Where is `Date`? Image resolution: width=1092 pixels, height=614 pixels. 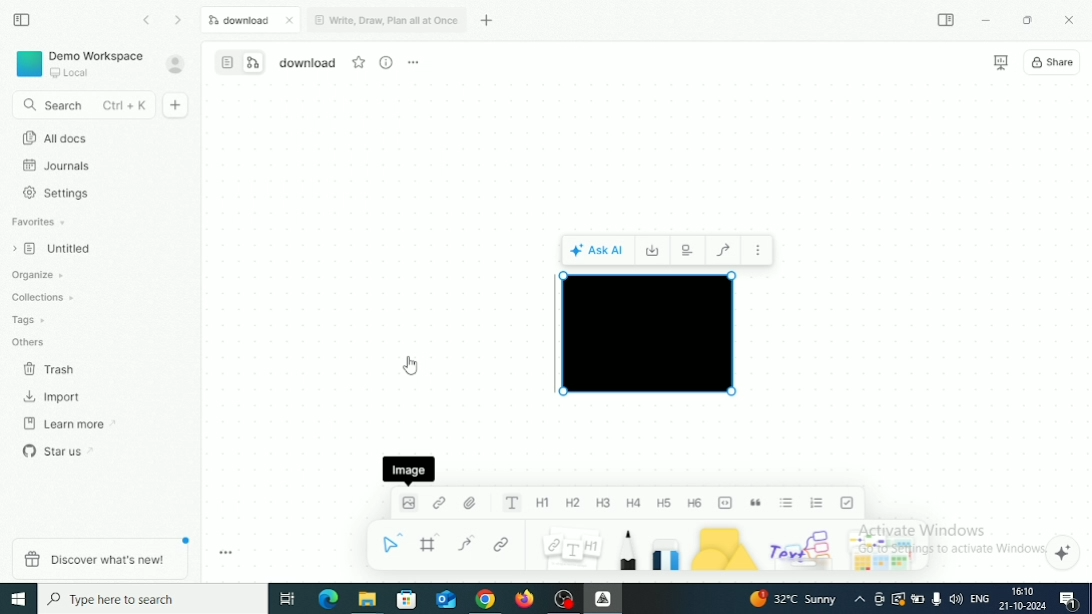
Date is located at coordinates (1023, 606).